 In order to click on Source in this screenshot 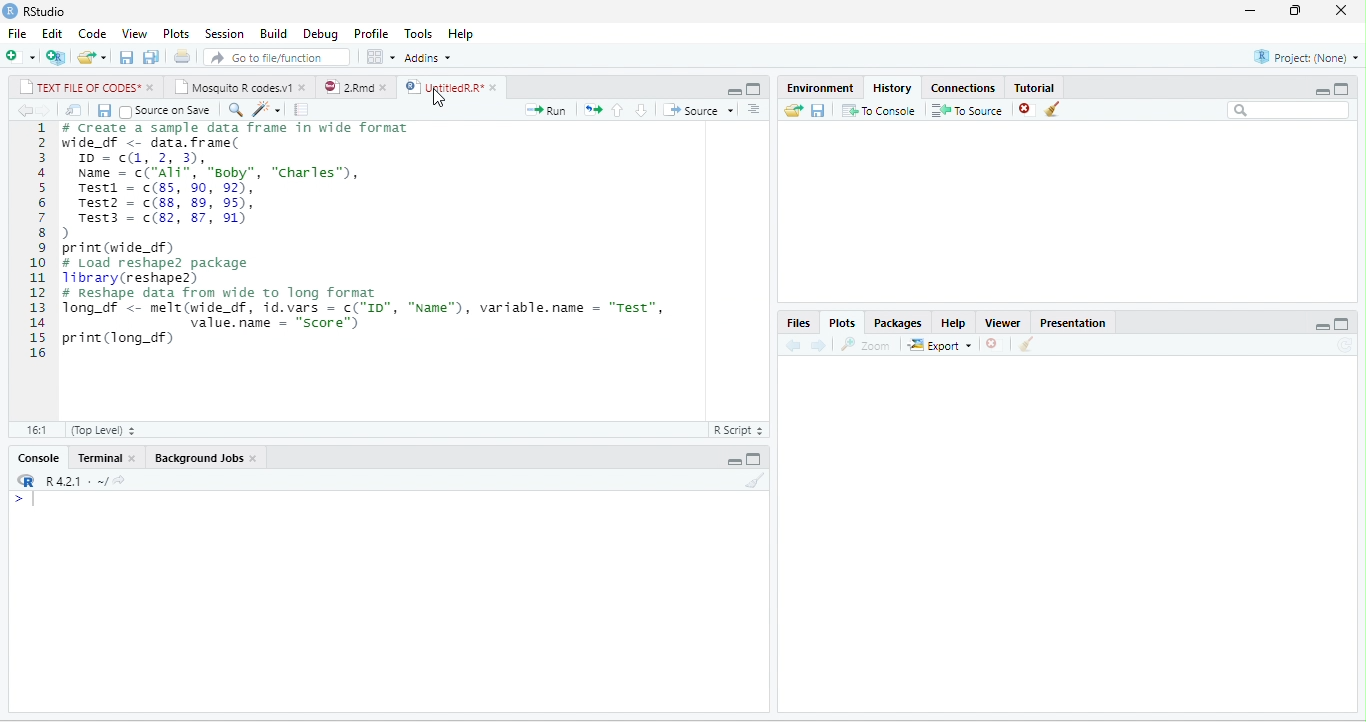, I will do `click(698, 110)`.